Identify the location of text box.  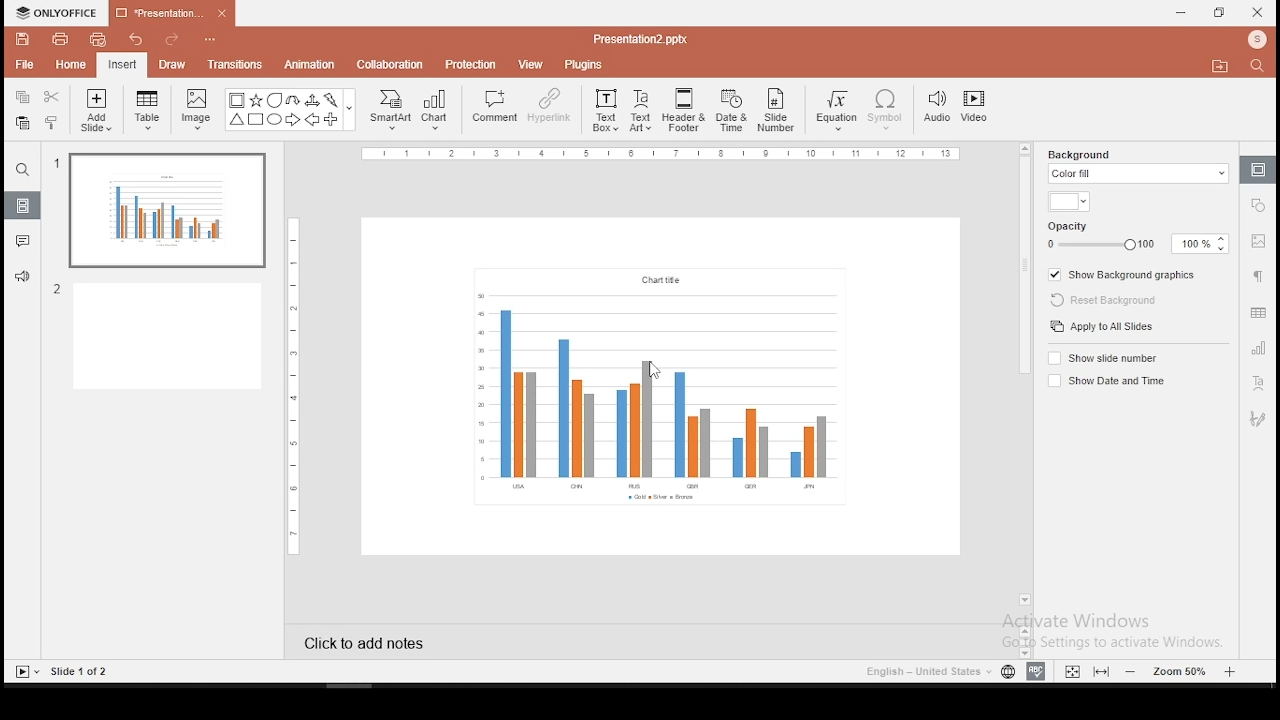
(605, 111).